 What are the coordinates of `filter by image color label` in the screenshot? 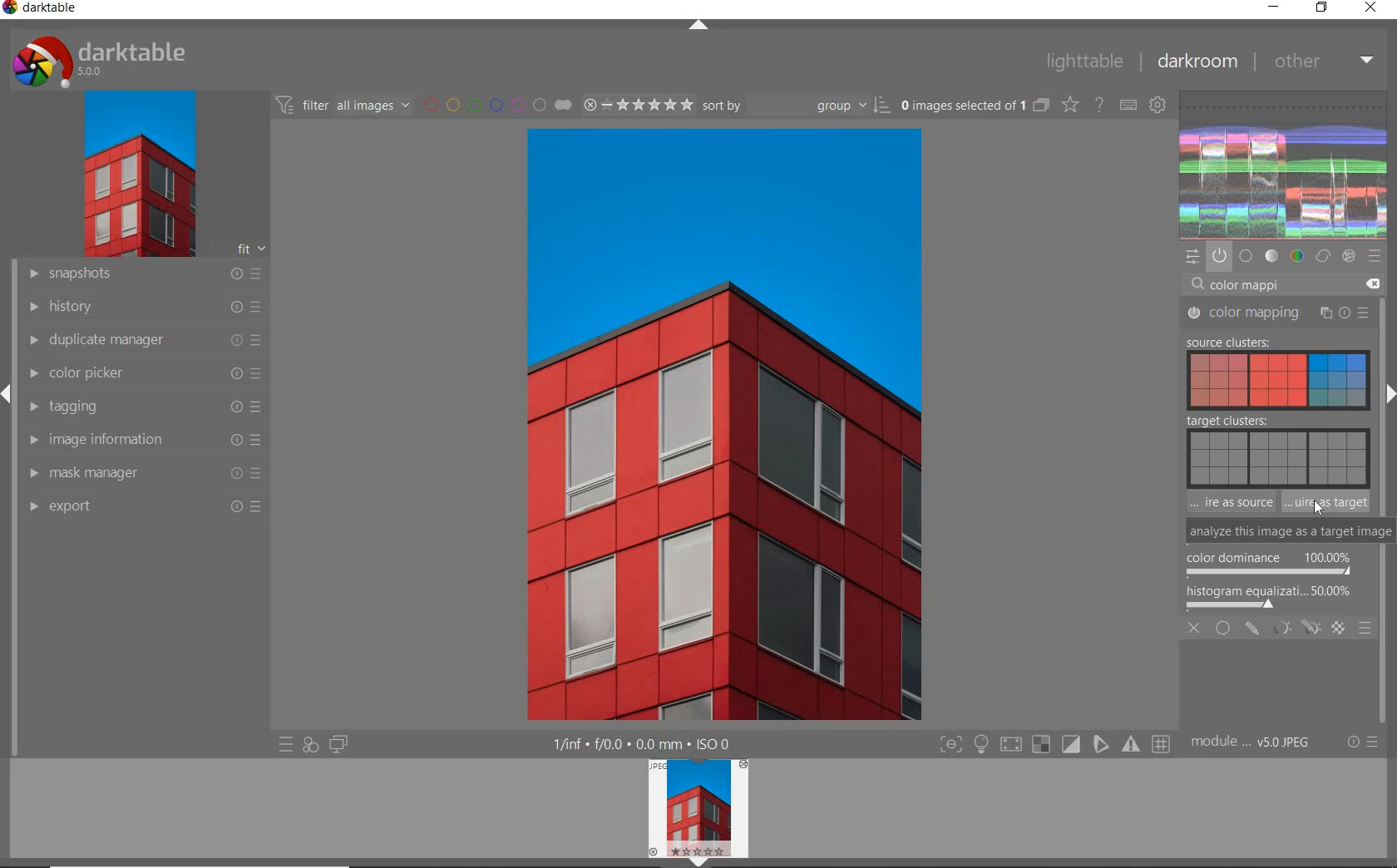 It's located at (495, 104).